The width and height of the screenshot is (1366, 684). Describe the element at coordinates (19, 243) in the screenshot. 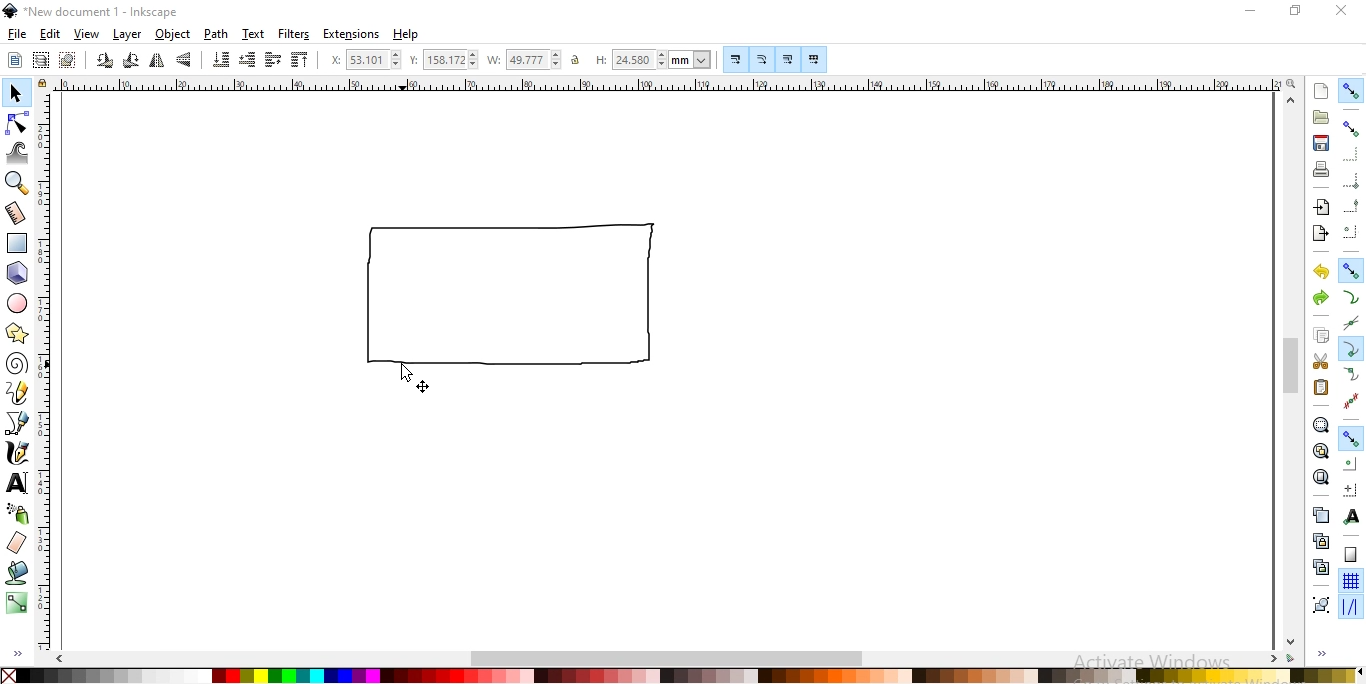

I see `create rectangles or squares` at that location.